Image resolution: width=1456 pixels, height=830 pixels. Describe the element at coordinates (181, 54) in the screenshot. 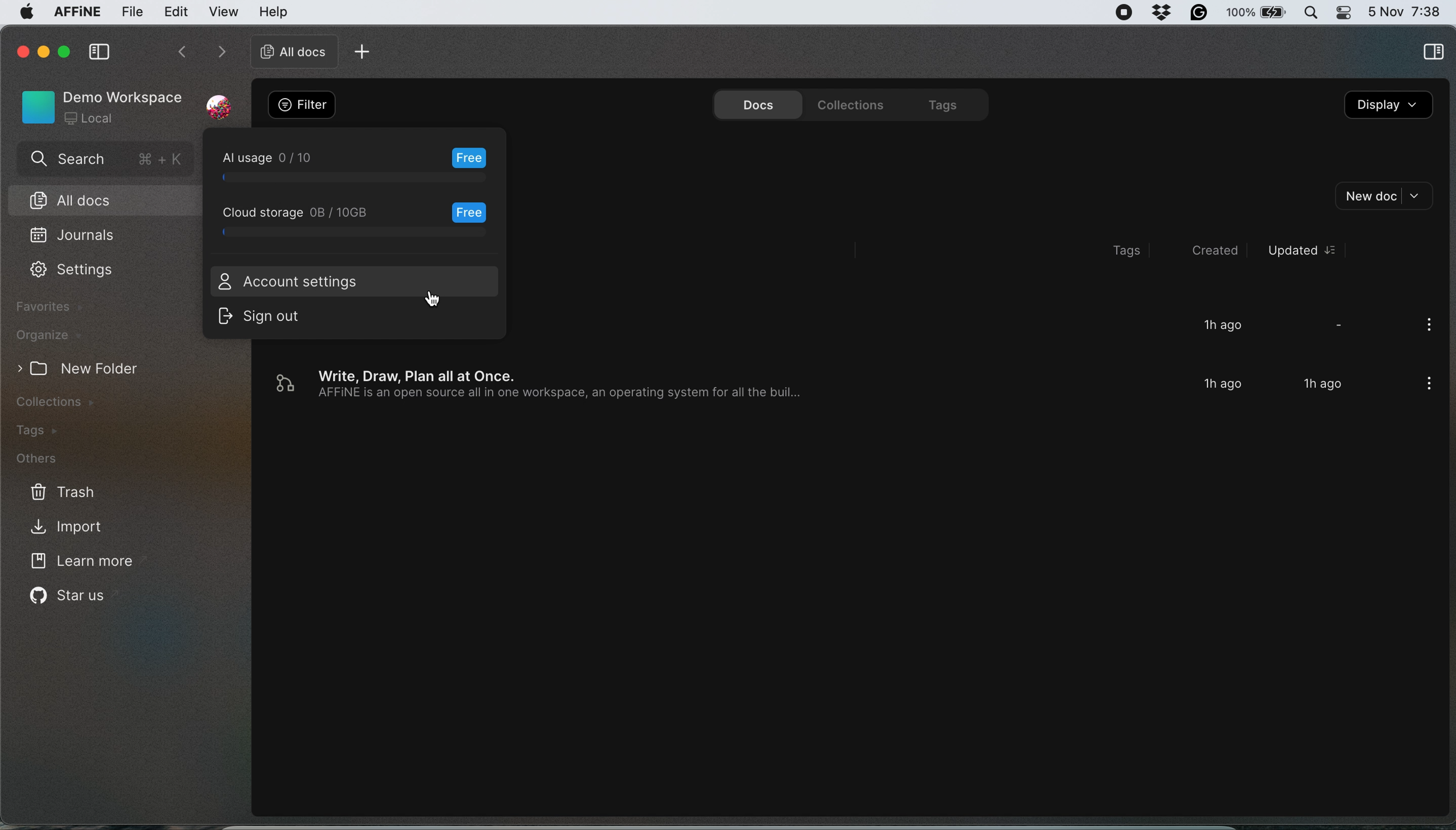

I see `go backwards` at that location.